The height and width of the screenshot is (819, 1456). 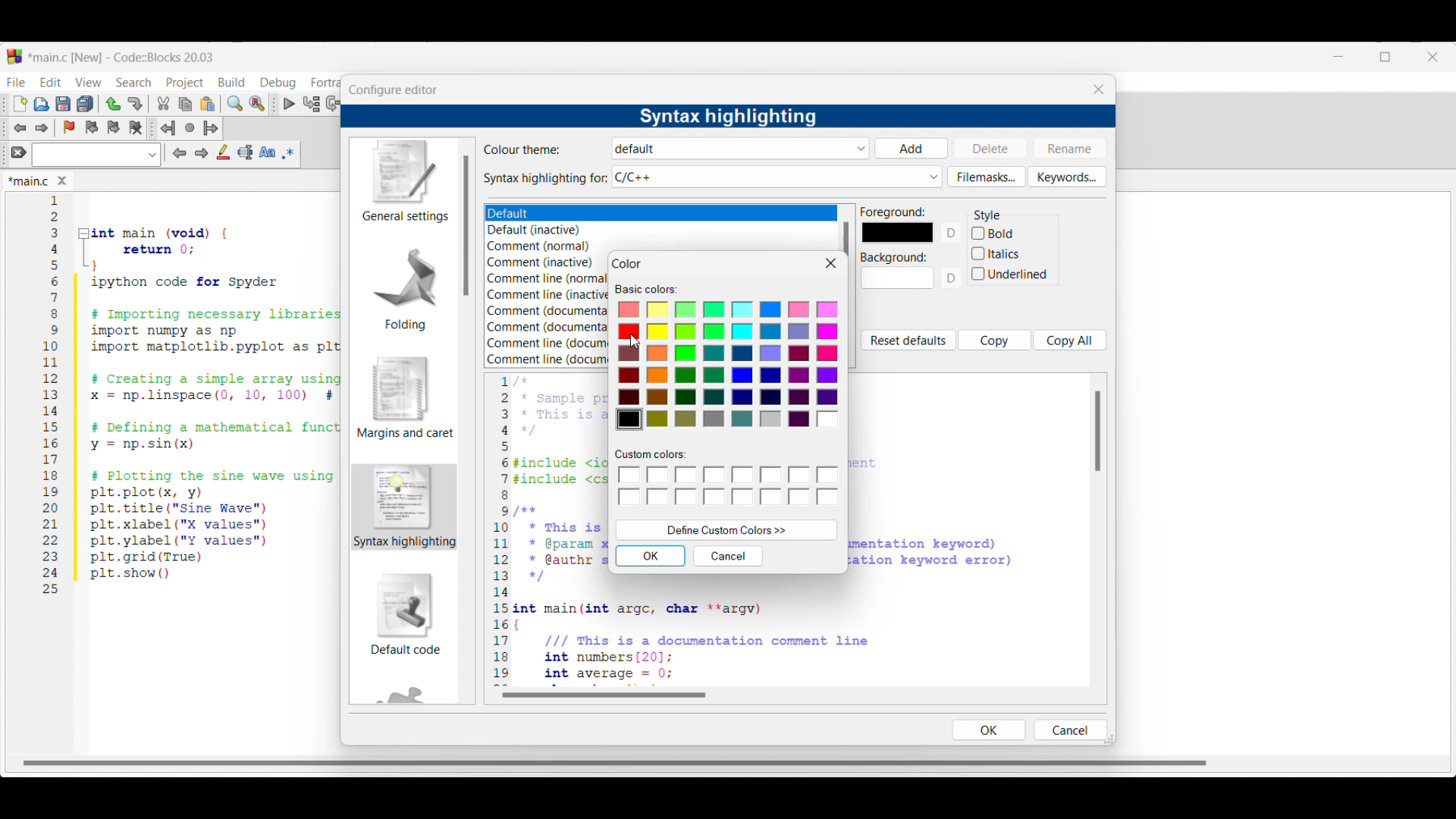 I want to click on Indicates custom color options , so click(x=651, y=454).